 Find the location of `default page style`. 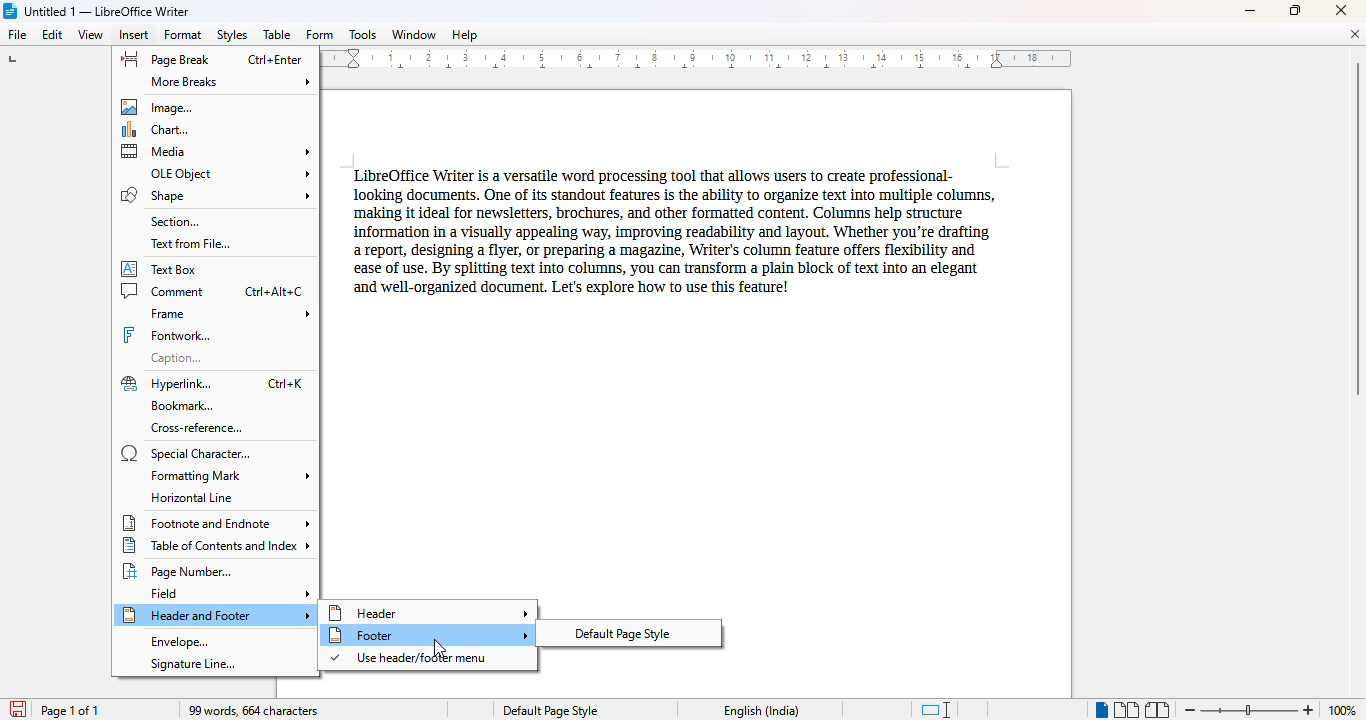

default page style is located at coordinates (622, 633).